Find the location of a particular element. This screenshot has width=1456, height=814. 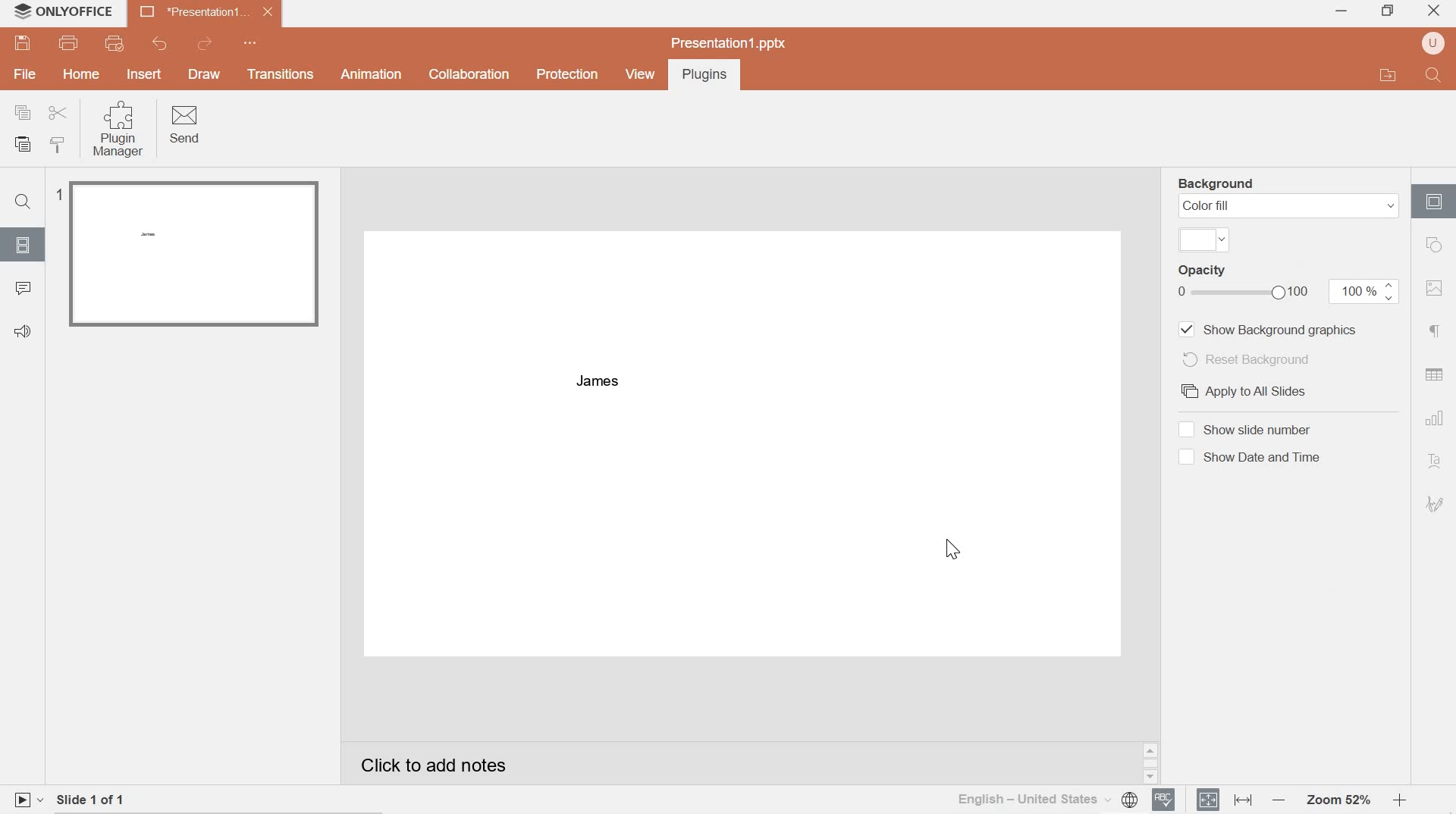

shadow effect added is located at coordinates (597, 381).